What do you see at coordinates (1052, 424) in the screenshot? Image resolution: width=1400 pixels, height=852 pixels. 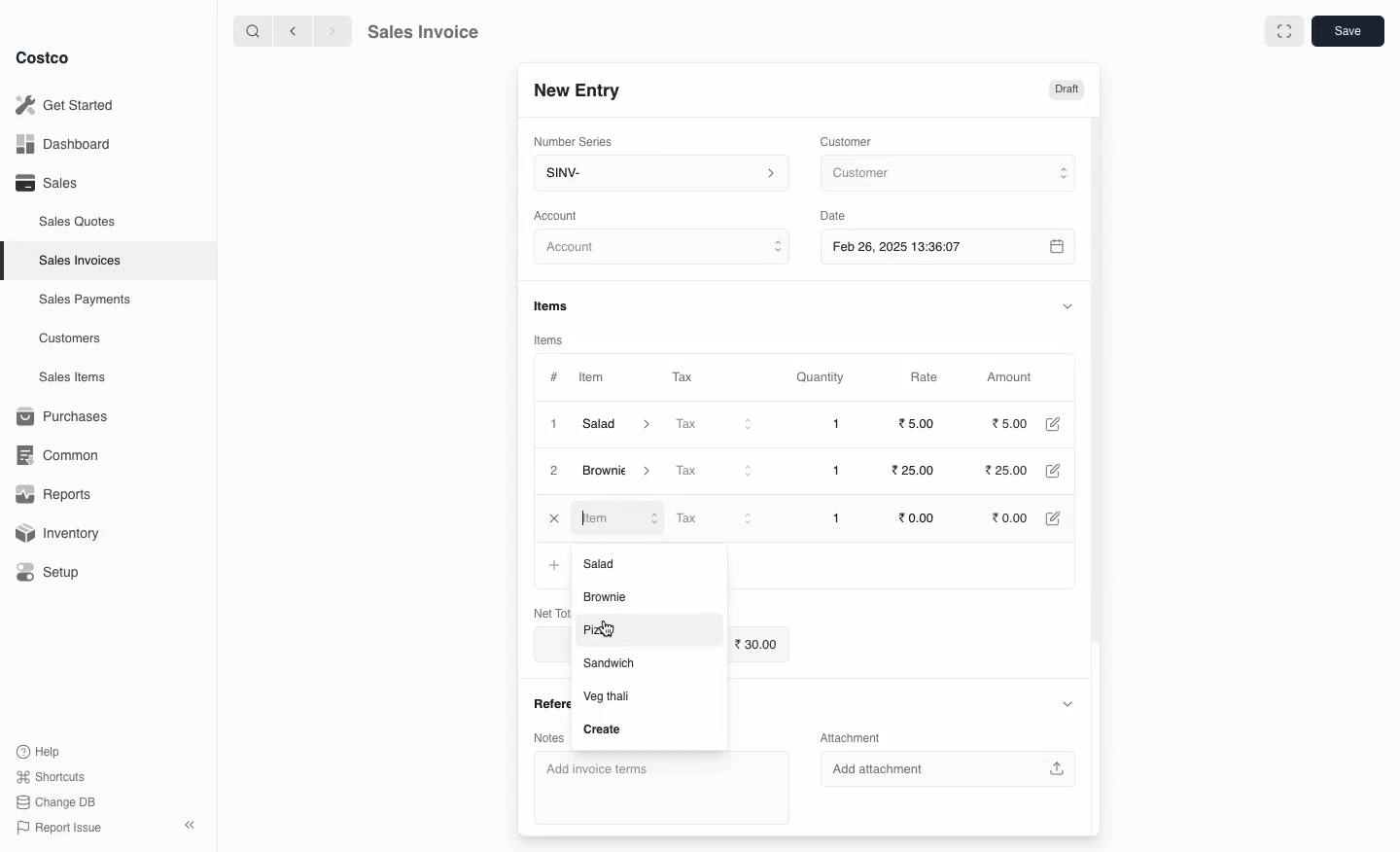 I see `Edit` at bounding box center [1052, 424].